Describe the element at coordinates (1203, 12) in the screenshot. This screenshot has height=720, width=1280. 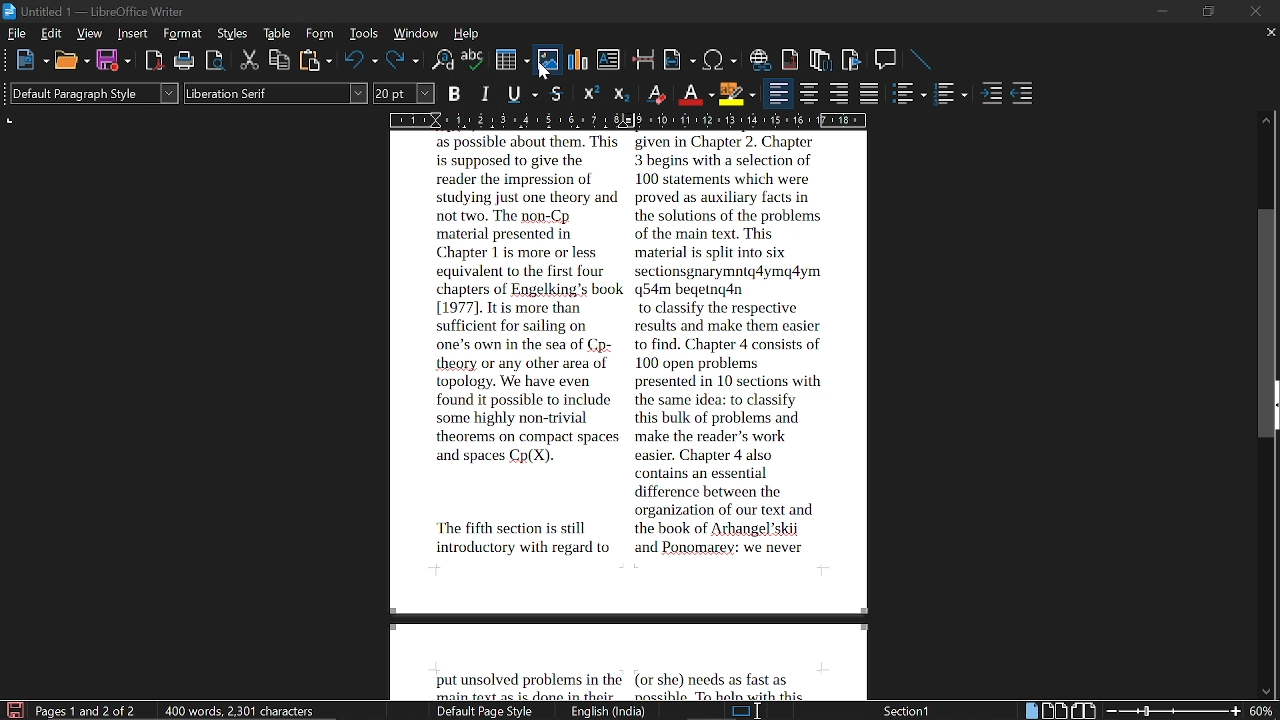
I see `restore down` at that location.